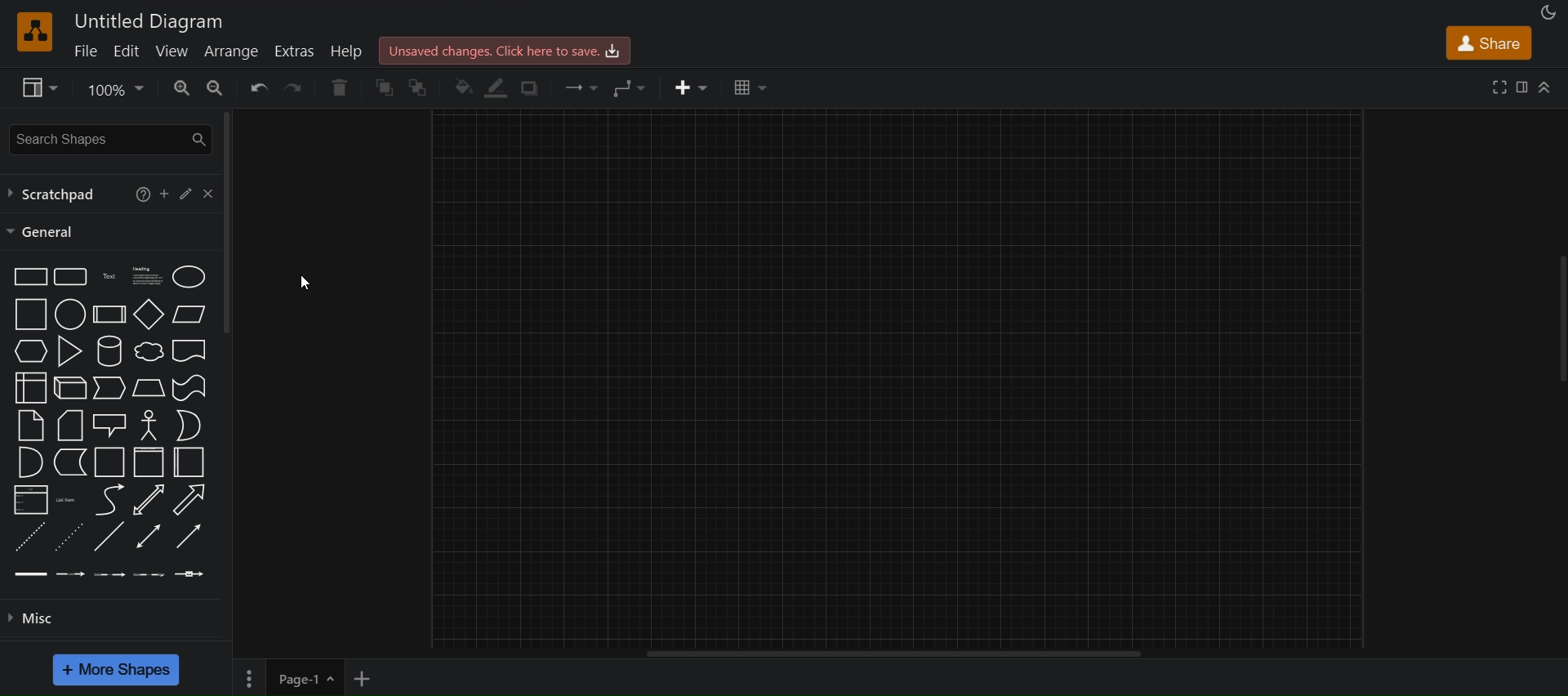  I want to click on to front, so click(385, 86).